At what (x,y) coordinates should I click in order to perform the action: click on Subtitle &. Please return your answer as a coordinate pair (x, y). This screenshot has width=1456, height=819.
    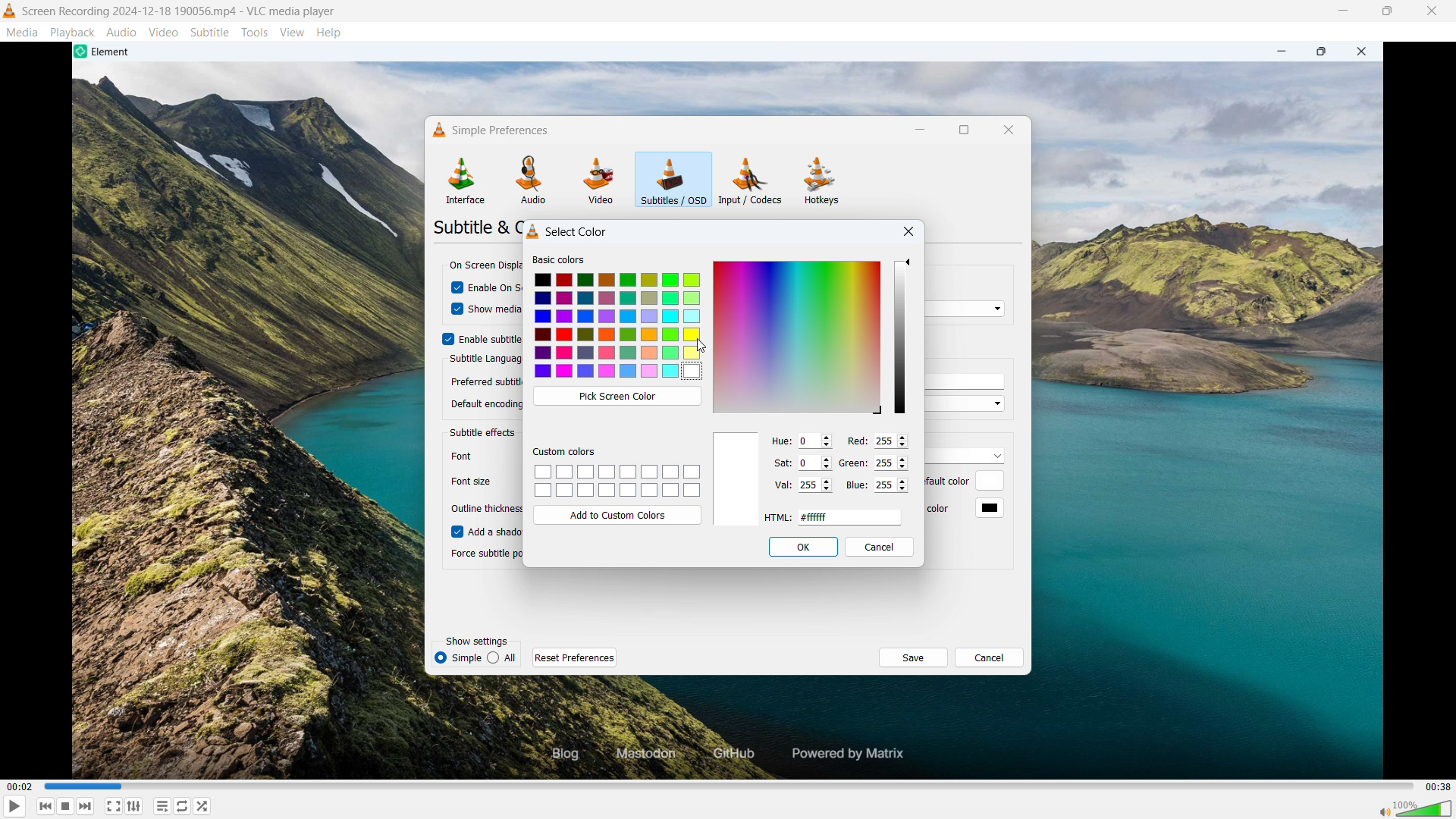
    Looking at the image, I should click on (475, 227).